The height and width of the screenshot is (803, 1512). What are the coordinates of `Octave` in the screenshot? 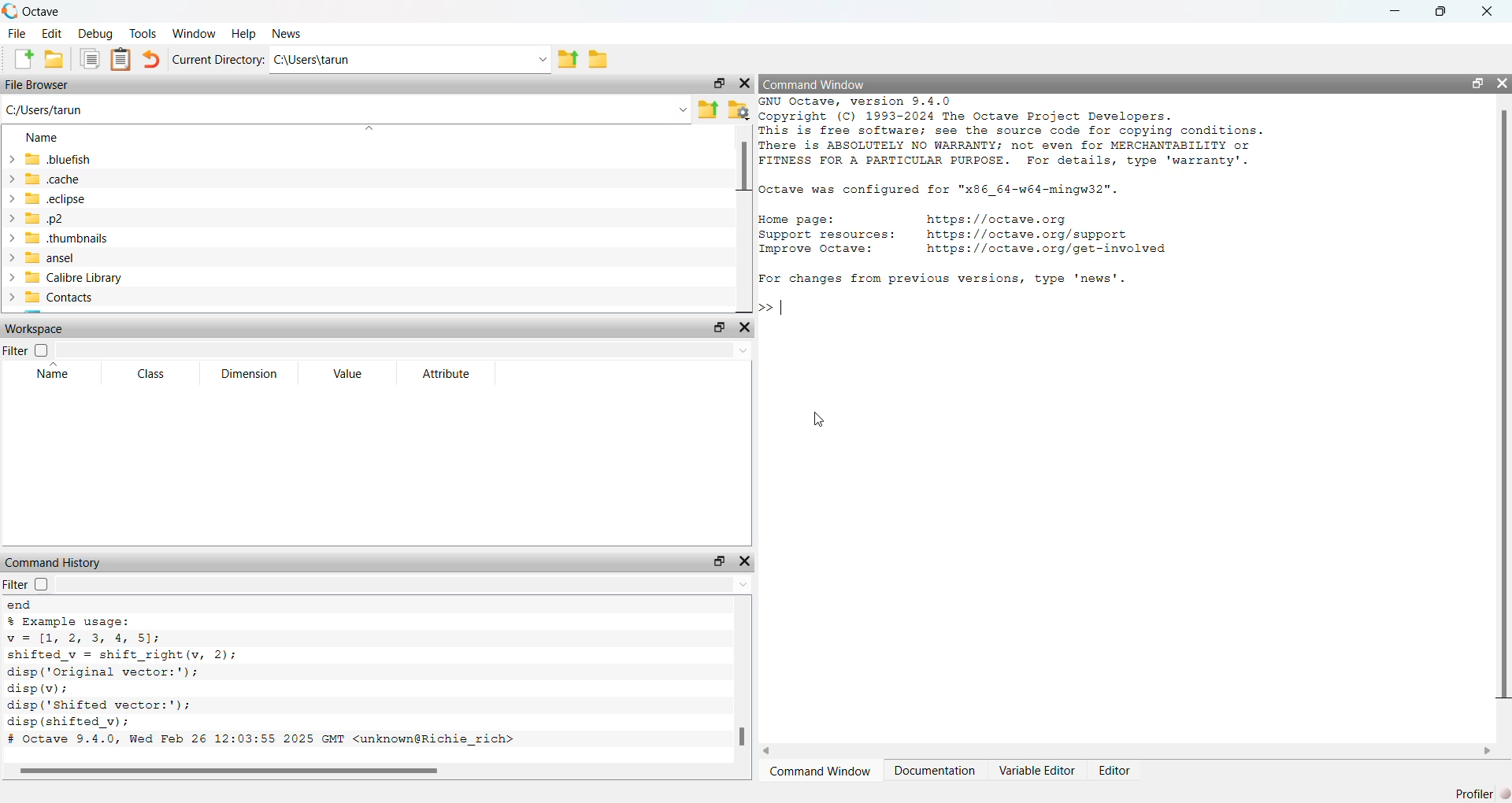 It's located at (66, 9).